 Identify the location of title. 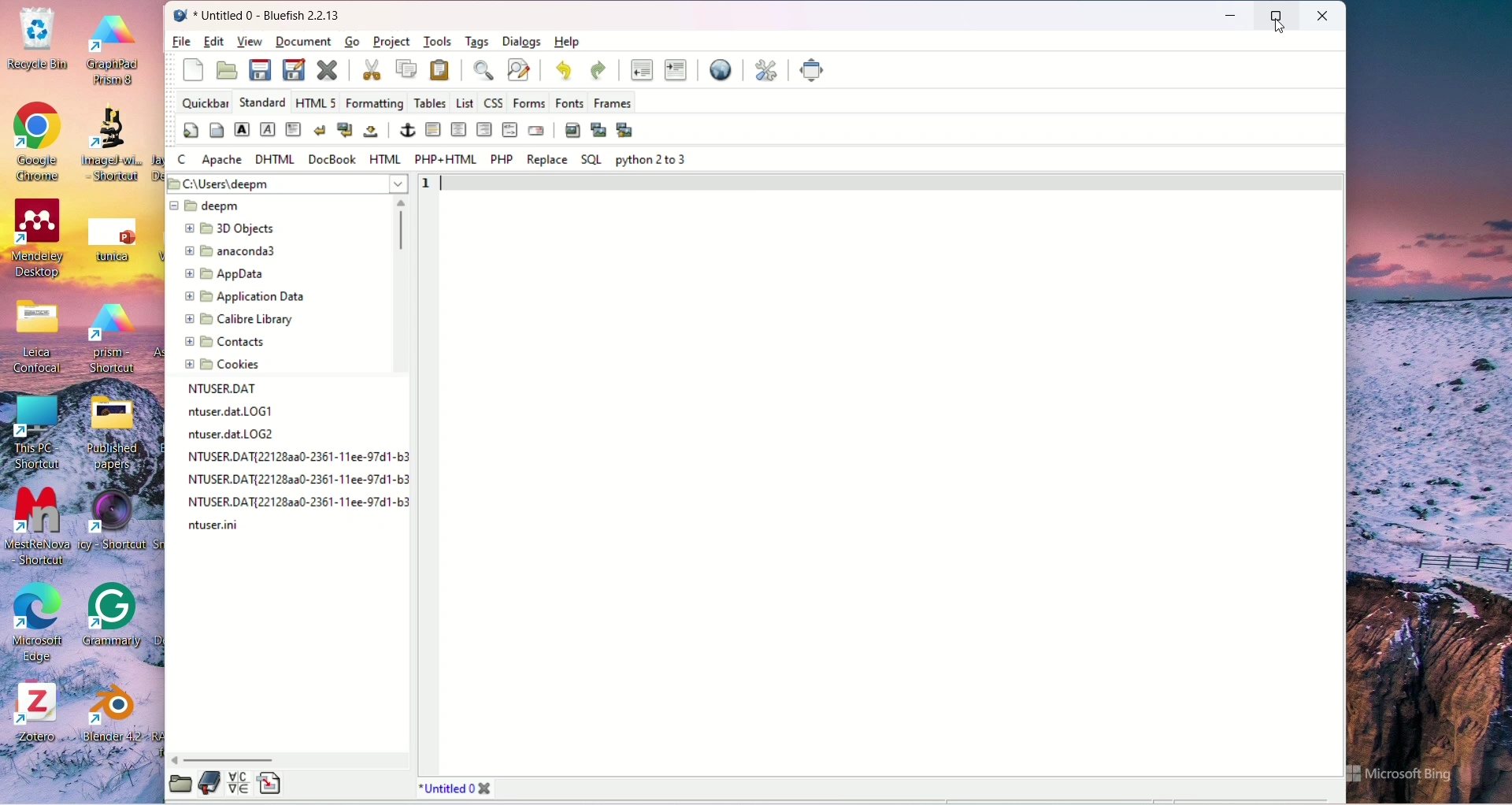
(273, 13).